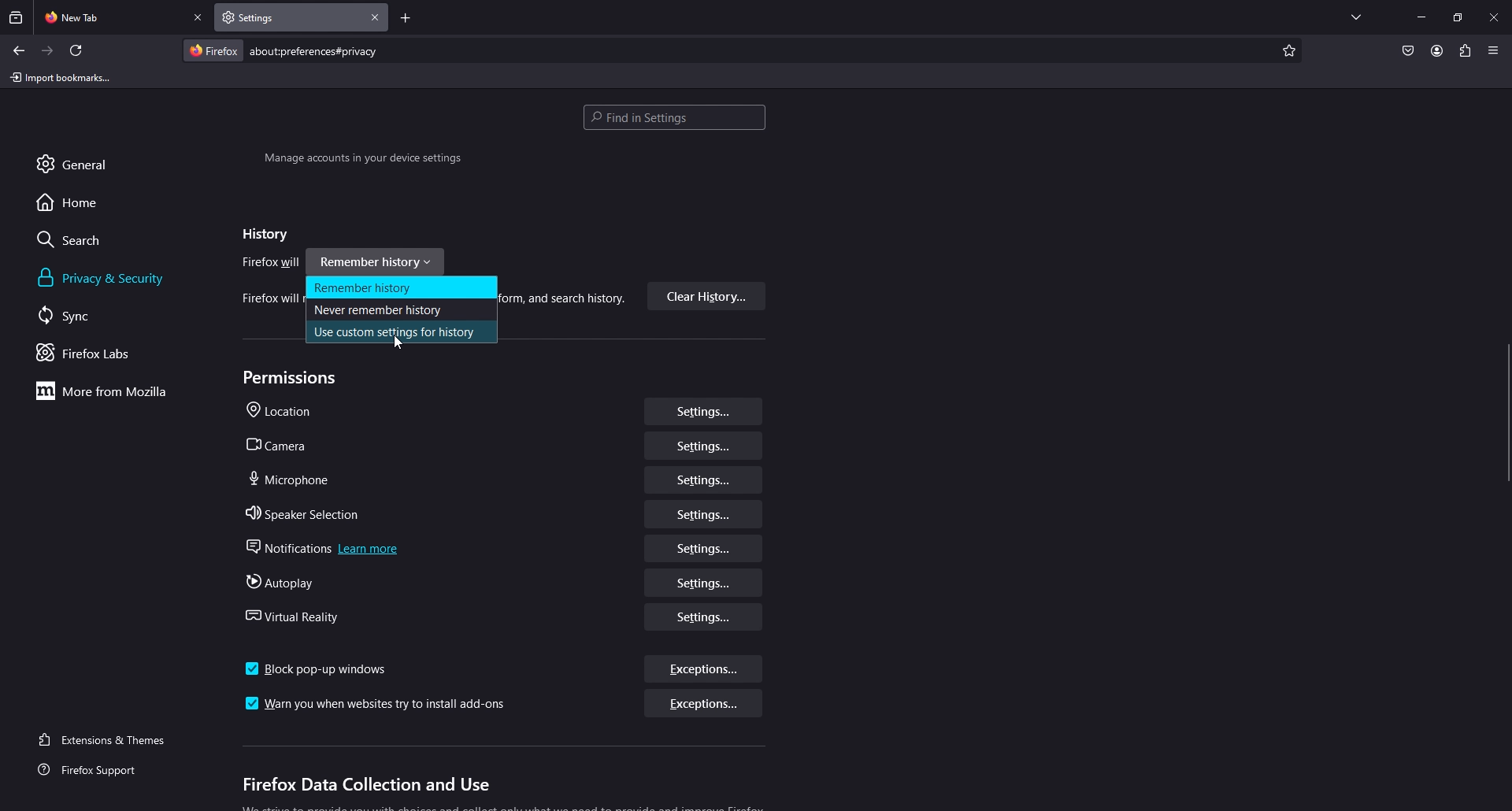  I want to click on close, so click(1495, 16).